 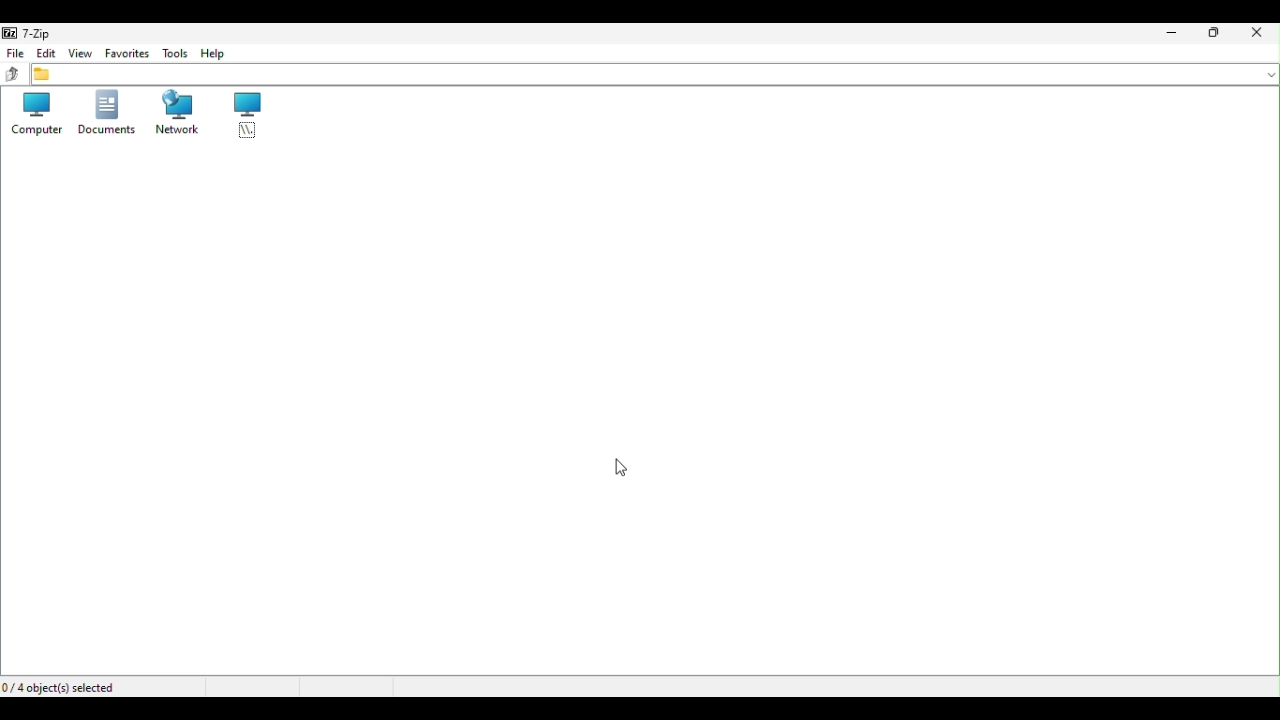 I want to click on up, so click(x=12, y=75).